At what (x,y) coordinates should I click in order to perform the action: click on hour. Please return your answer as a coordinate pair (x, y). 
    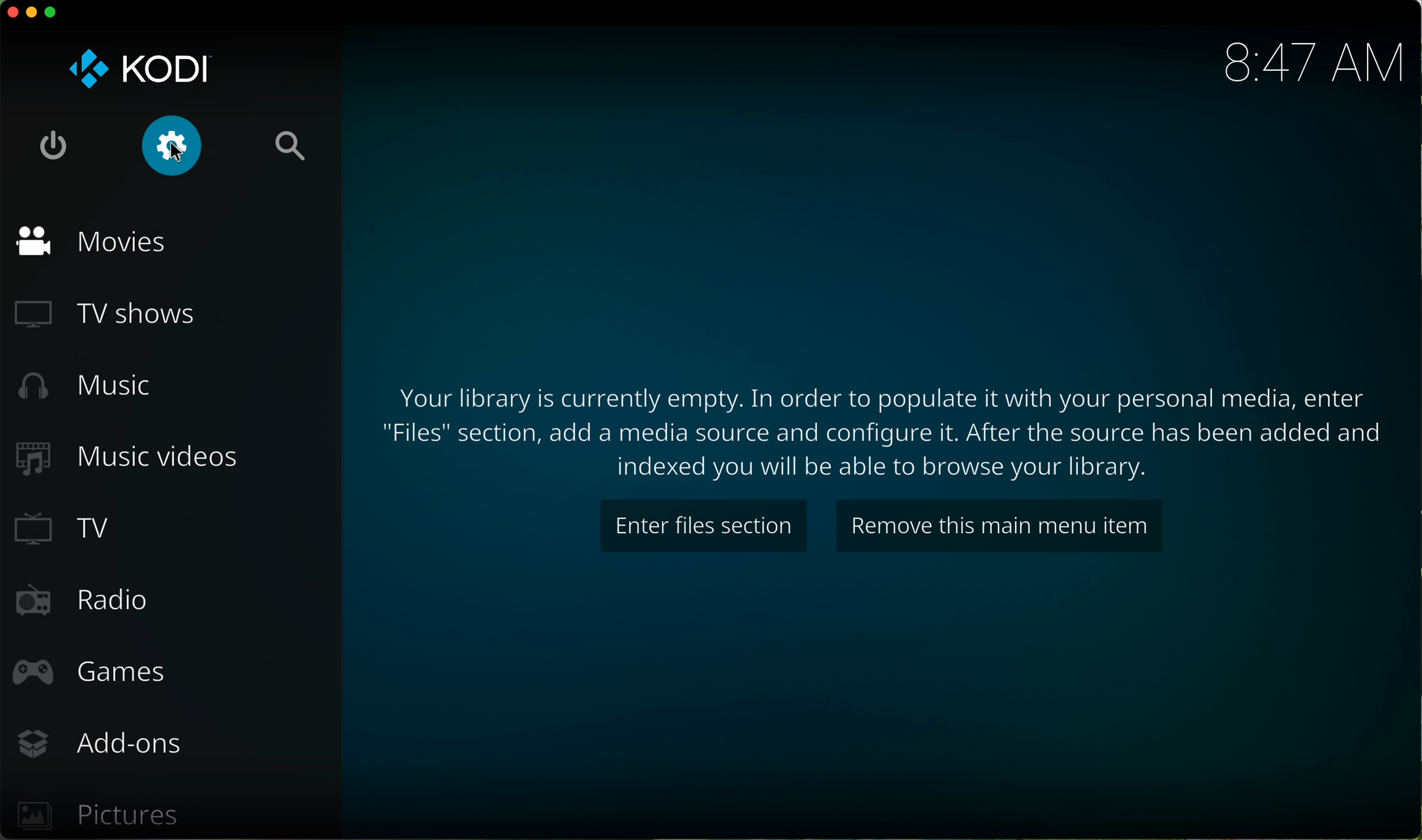
    Looking at the image, I should click on (1308, 63).